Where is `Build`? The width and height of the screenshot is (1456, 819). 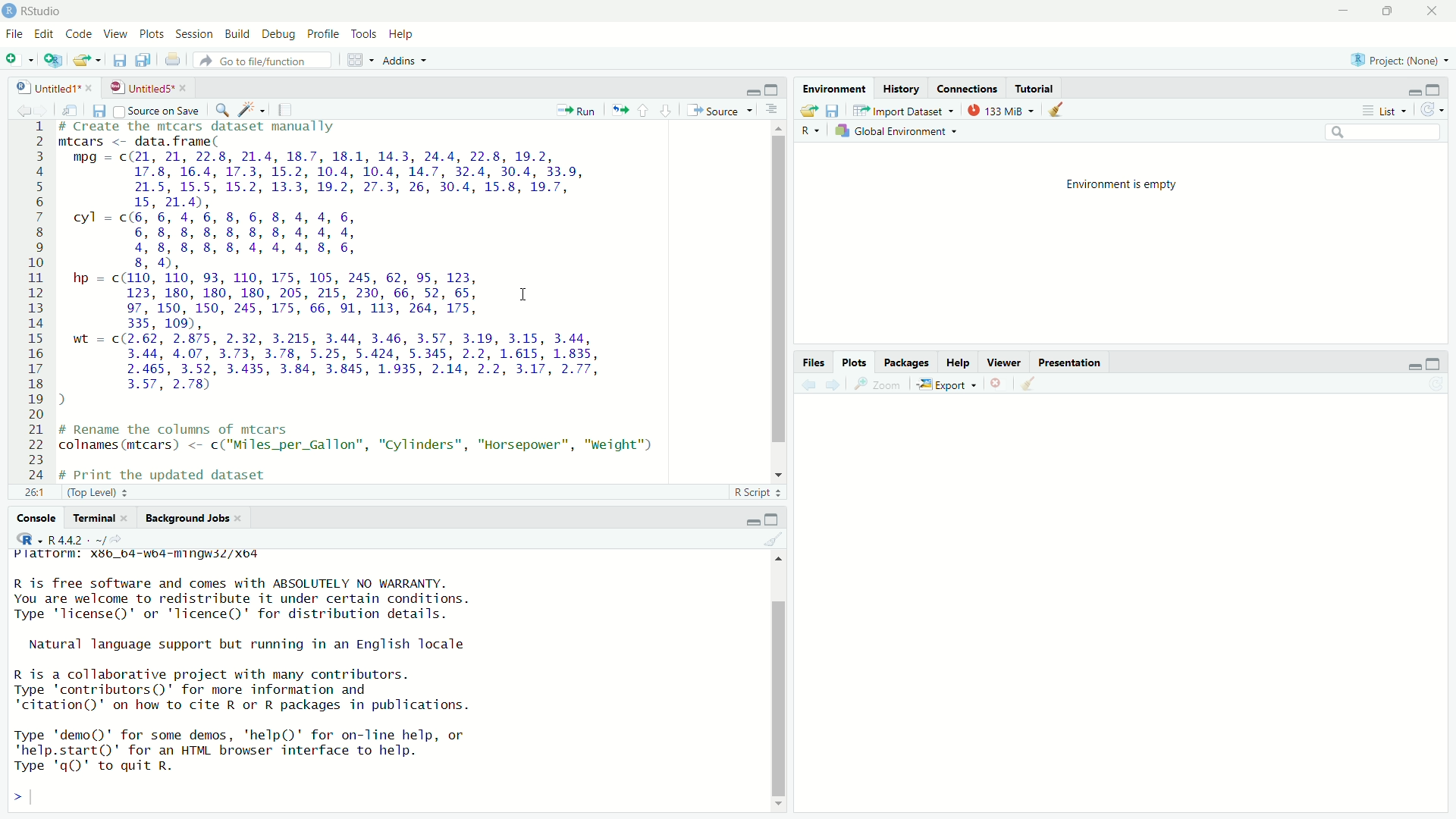 Build is located at coordinates (237, 33).